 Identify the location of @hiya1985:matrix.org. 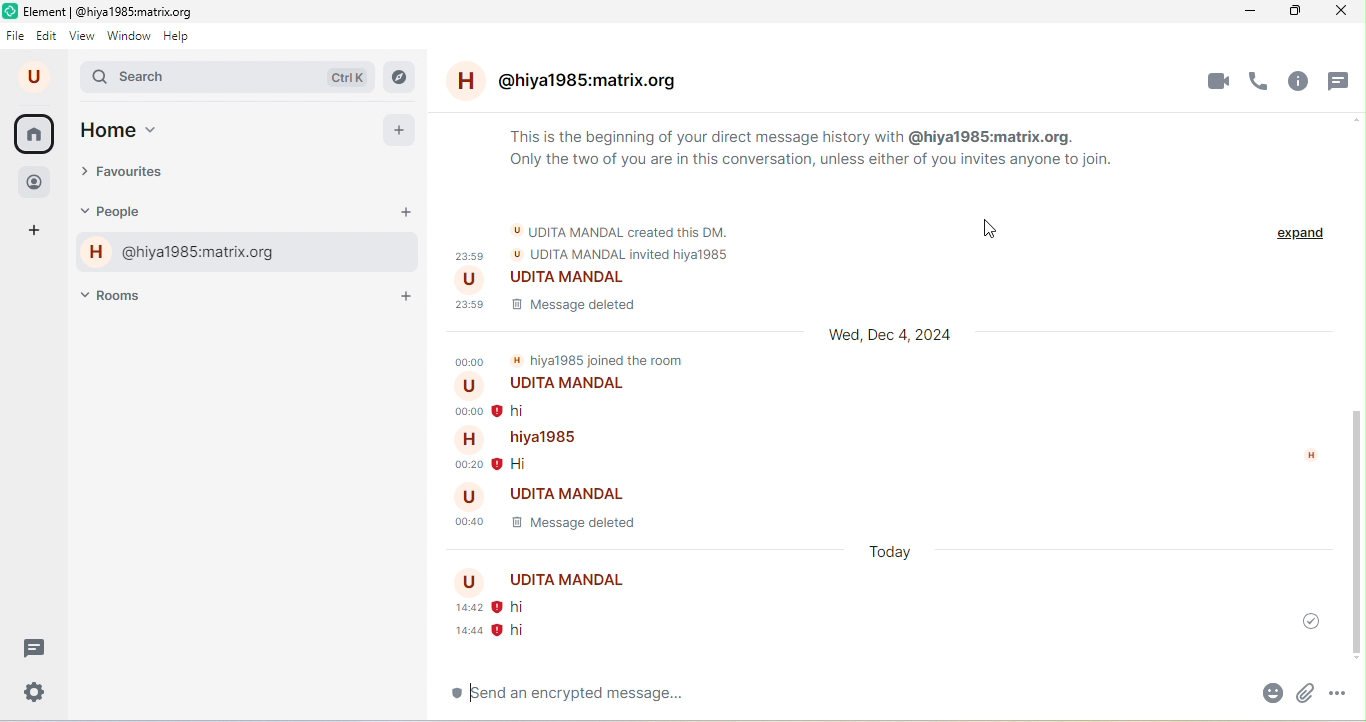
(181, 252).